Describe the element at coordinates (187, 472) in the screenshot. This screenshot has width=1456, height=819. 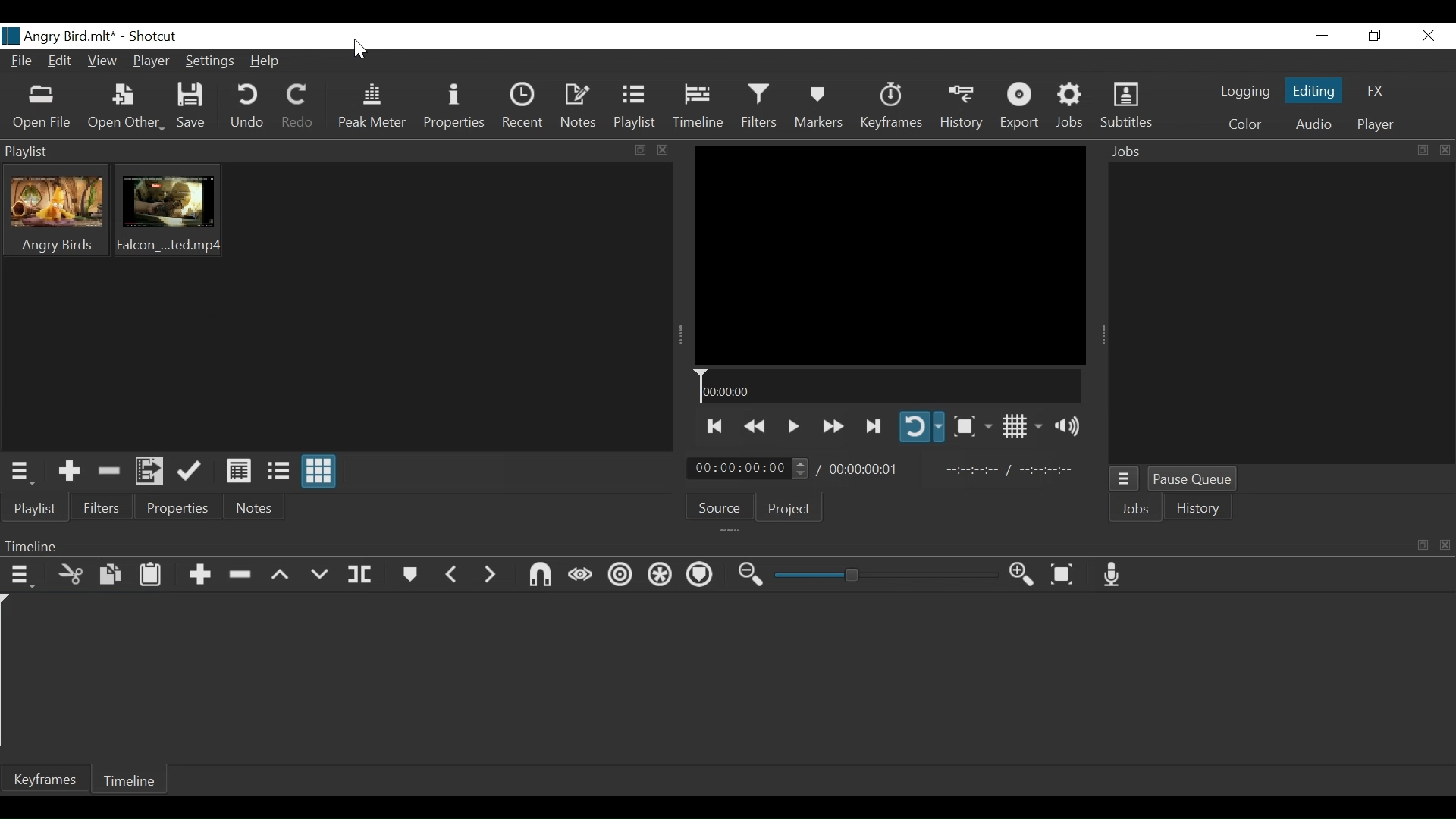
I see `Update` at that location.